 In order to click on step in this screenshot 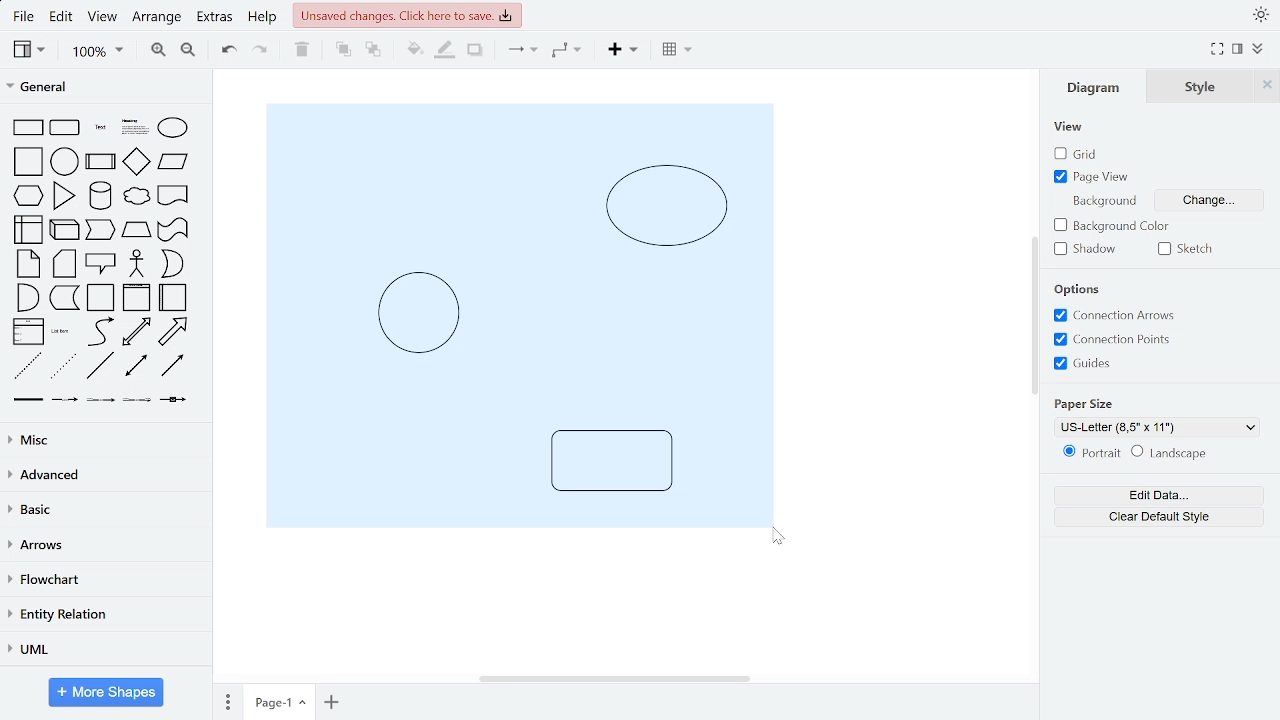, I will do `click(100, 231)`.